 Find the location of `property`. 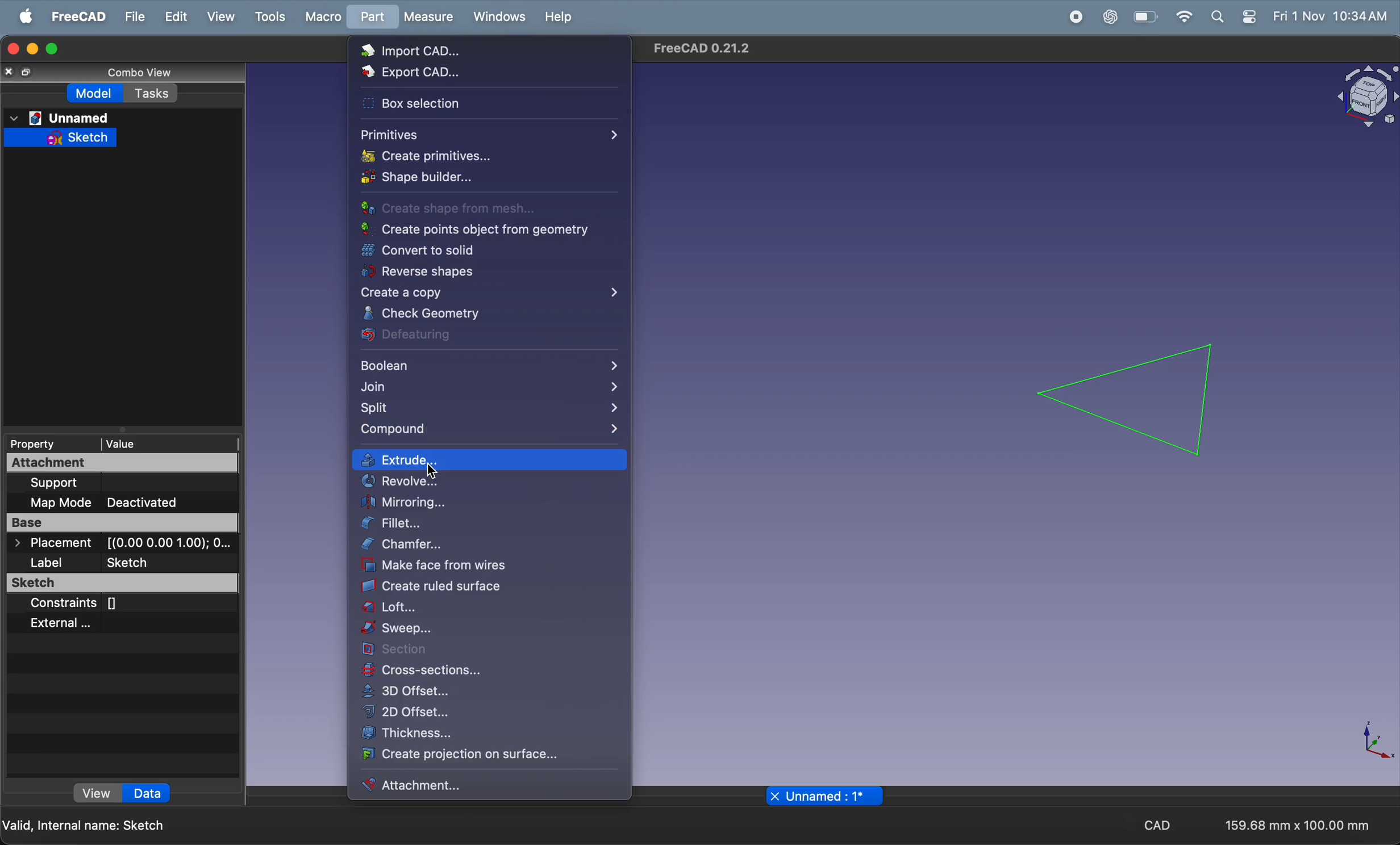

property is located at coordinates (39, 443).